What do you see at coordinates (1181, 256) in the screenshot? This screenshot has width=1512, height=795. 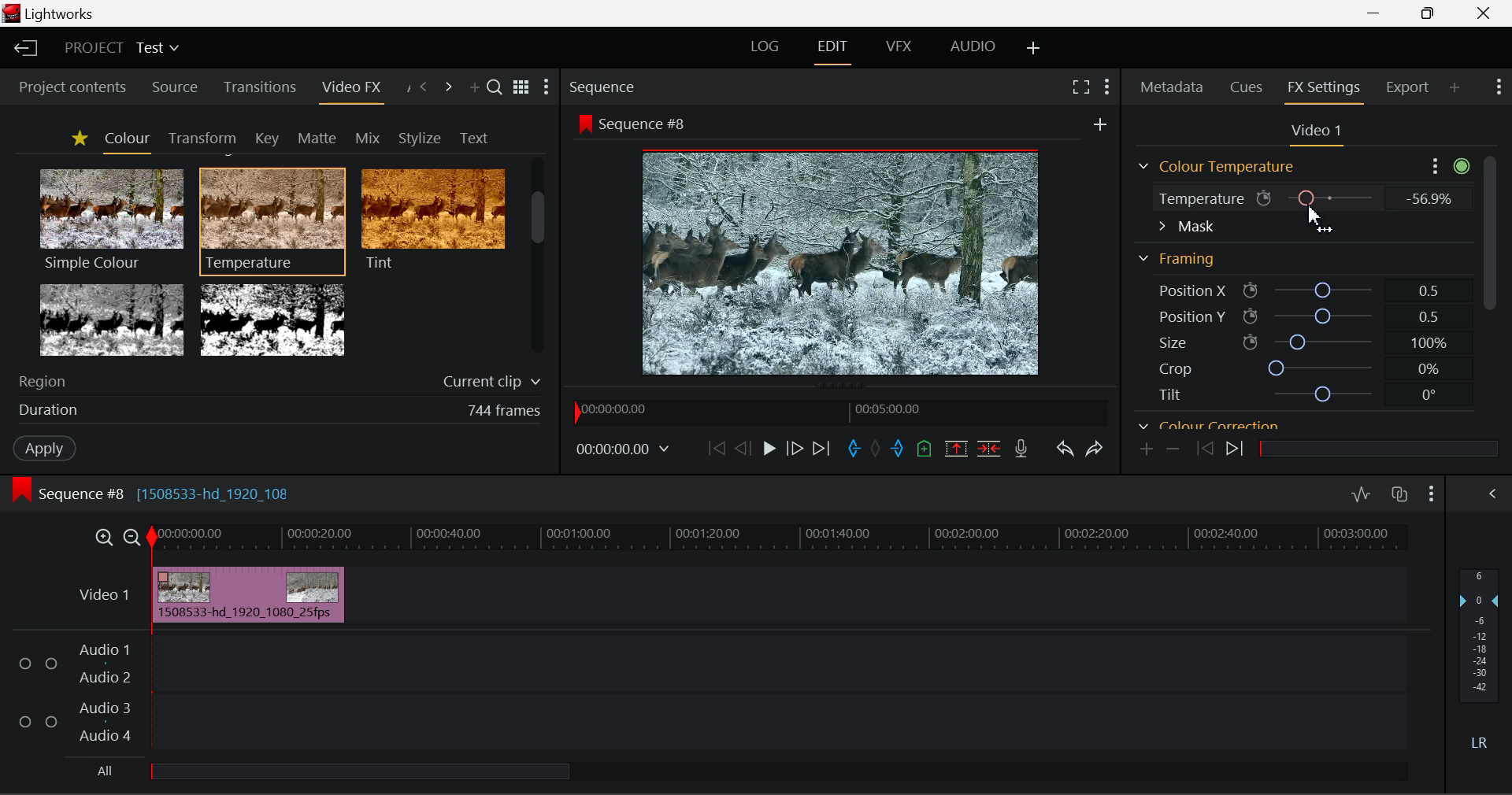 I see `Framing Section` at bounding box center [1181, 256].